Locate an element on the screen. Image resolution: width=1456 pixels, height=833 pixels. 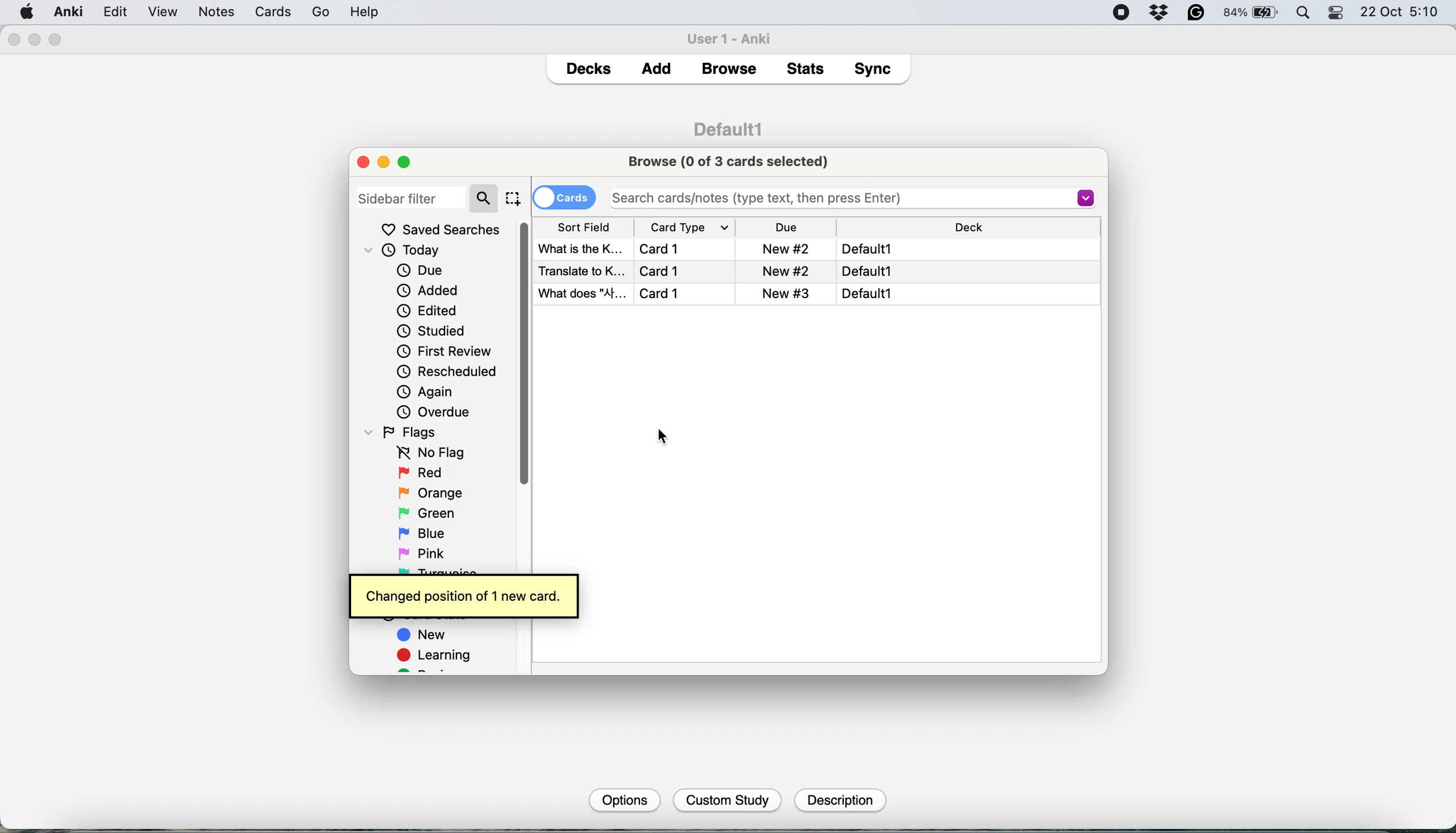
control center is located at coordinates (1337, 13).